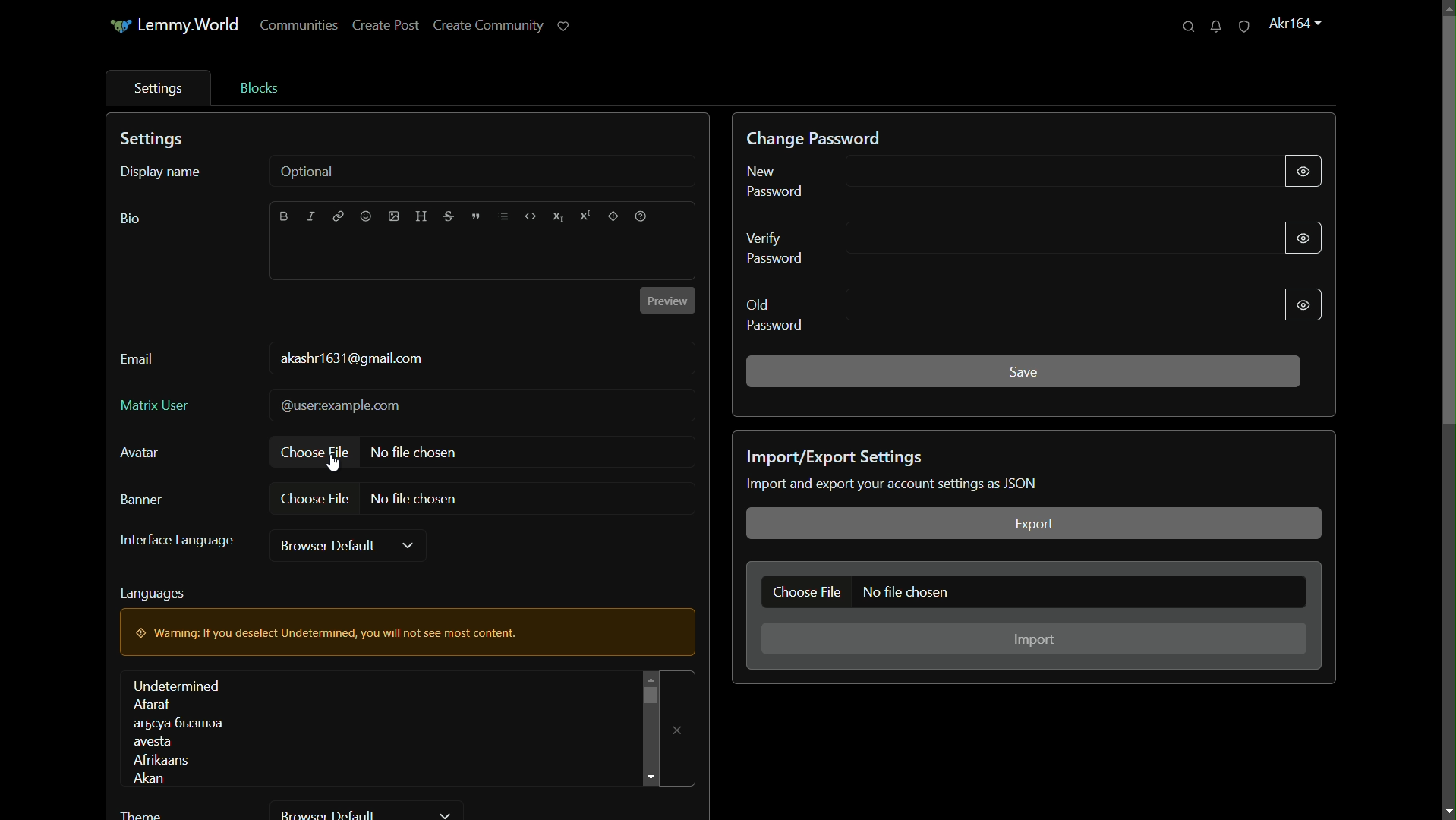 The width and height of the screenshot is (1456, 820). I want to click on usermail, so click(354, 359).